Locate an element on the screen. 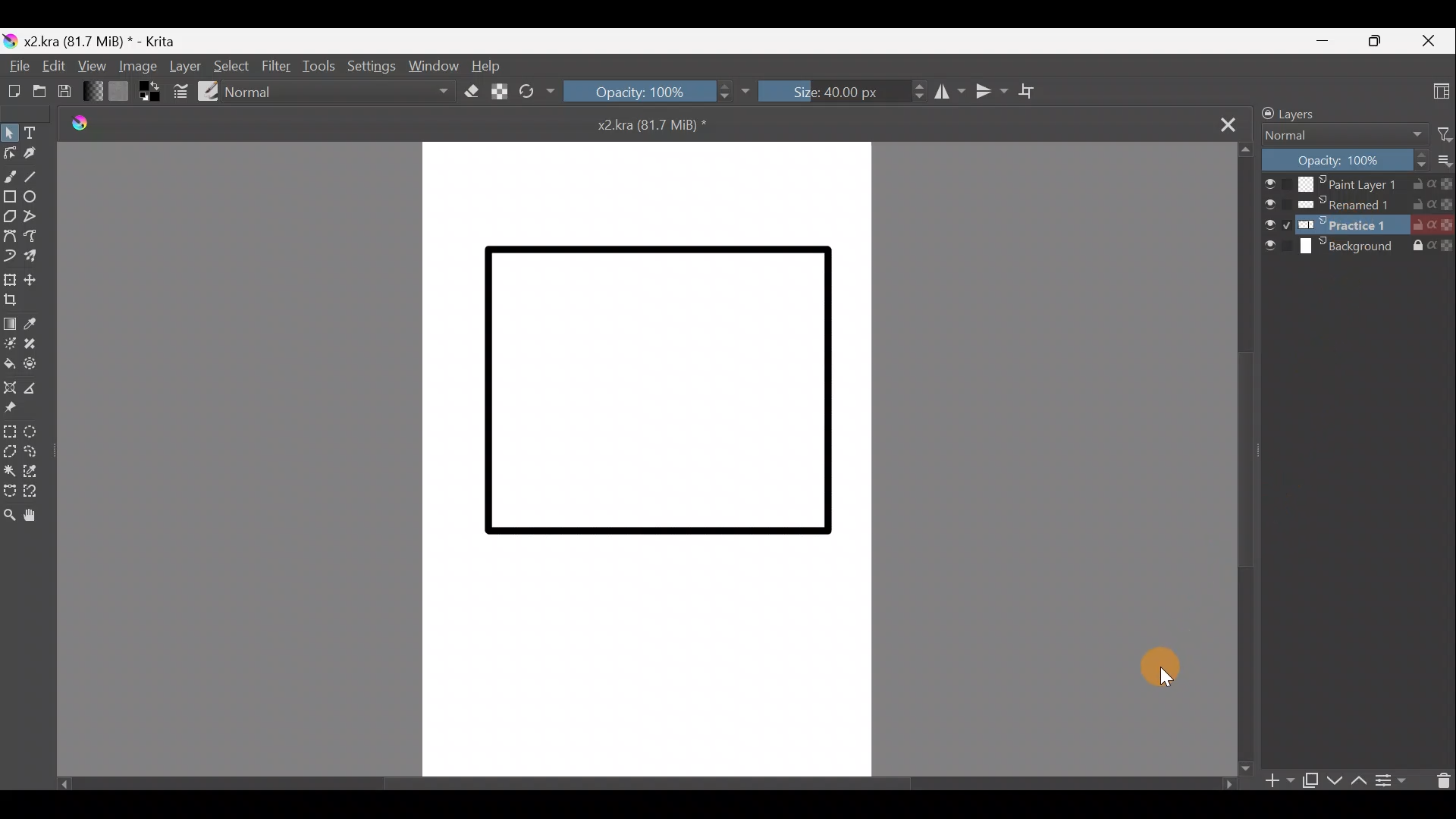 The width and height of the screenshot is (1456, 819). Canvas is located at coordinates (650, 460).